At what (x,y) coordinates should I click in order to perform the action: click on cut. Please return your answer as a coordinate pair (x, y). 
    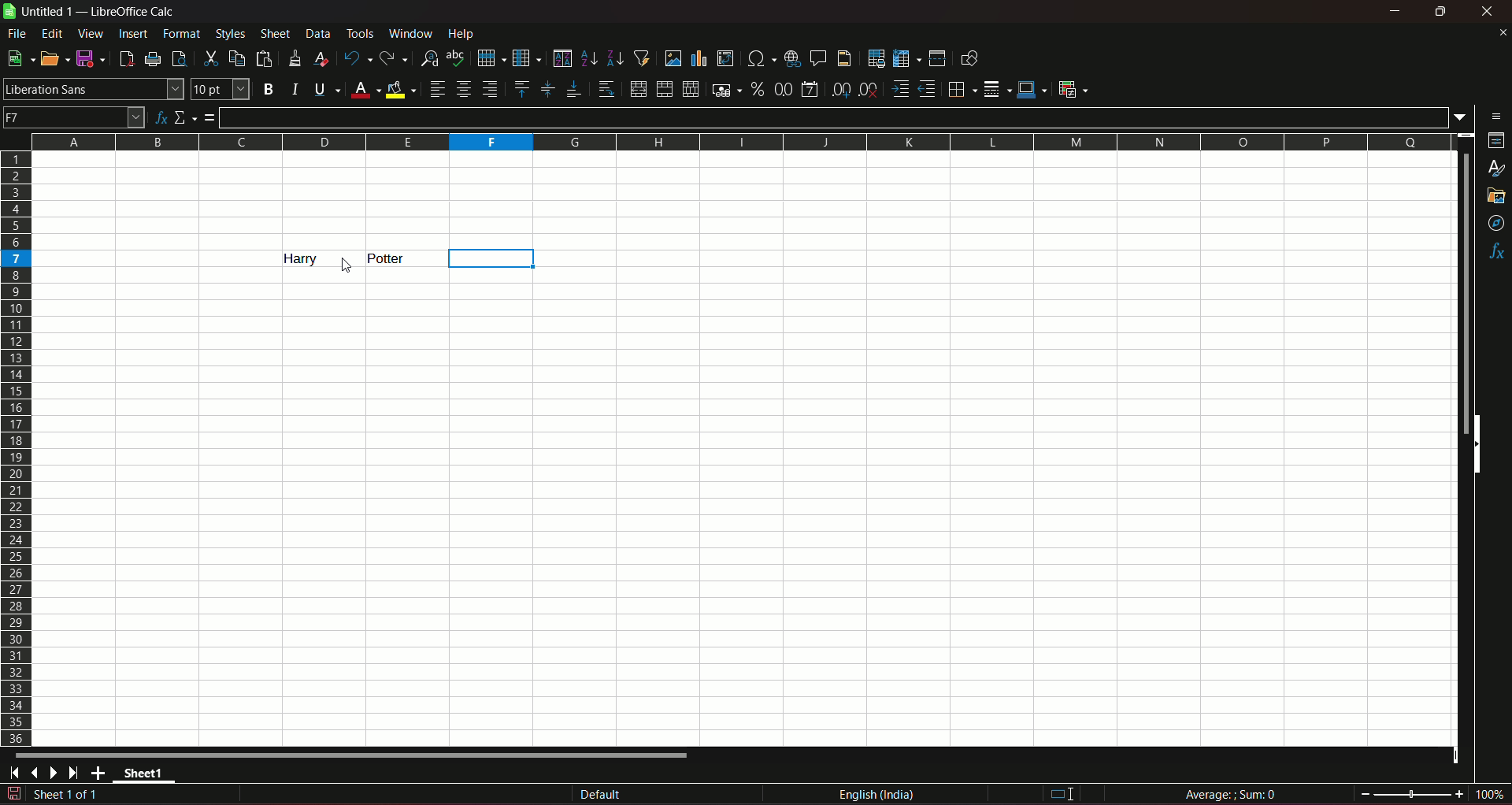
    Looking at the image, I should click on (209, 58).